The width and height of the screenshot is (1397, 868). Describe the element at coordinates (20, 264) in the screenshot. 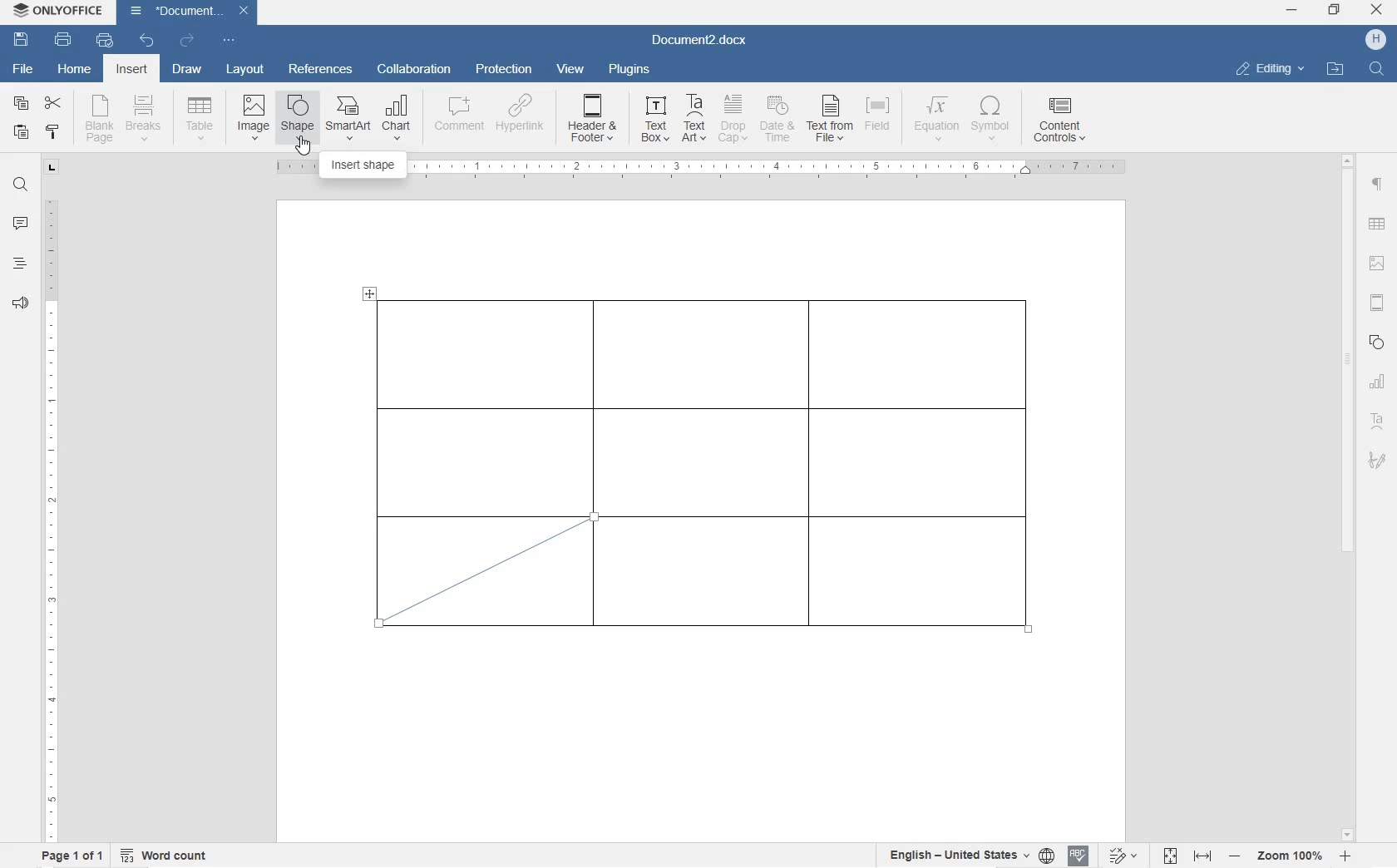

I see `headings` at that location.